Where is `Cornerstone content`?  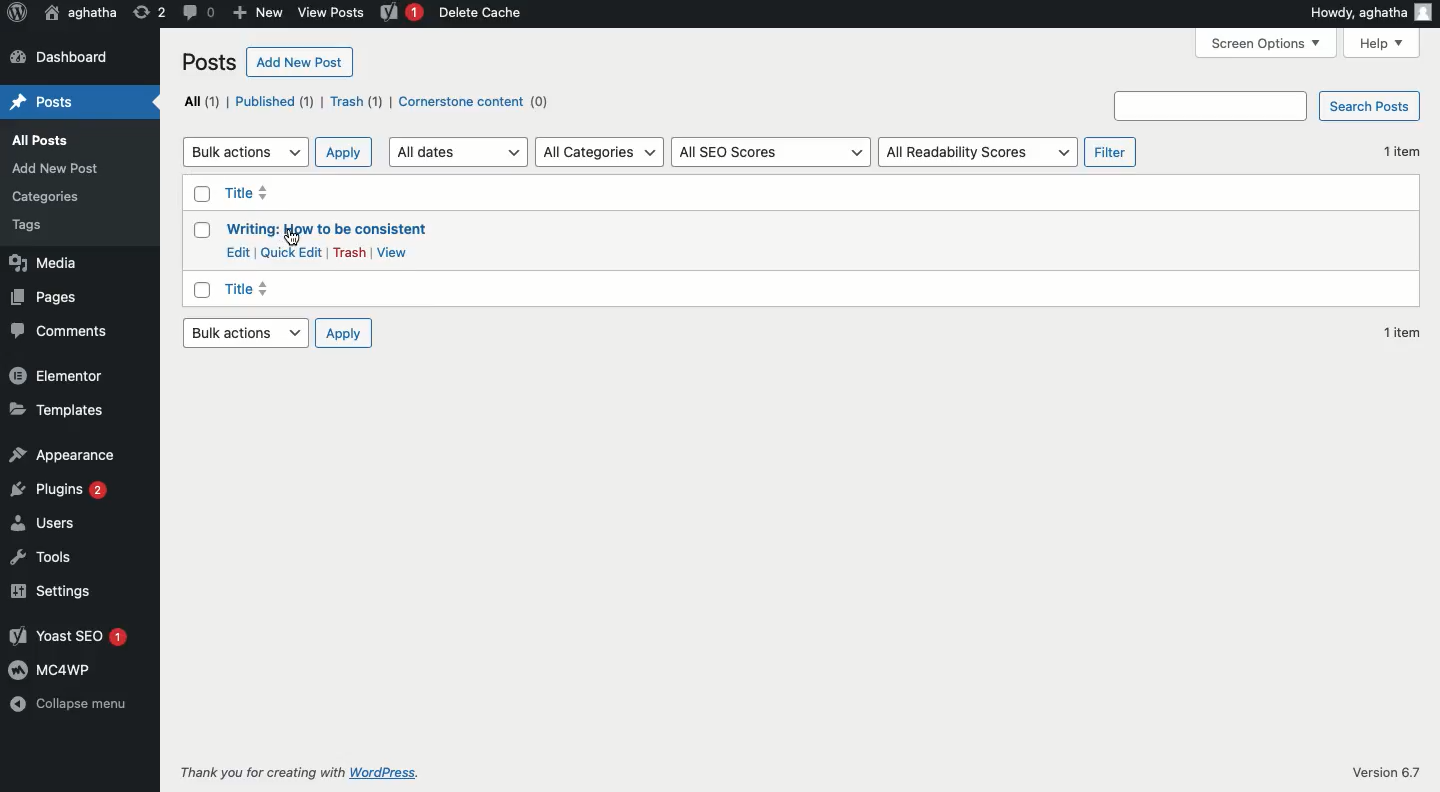
Cornerstone content is located at coordinates (473, 102).